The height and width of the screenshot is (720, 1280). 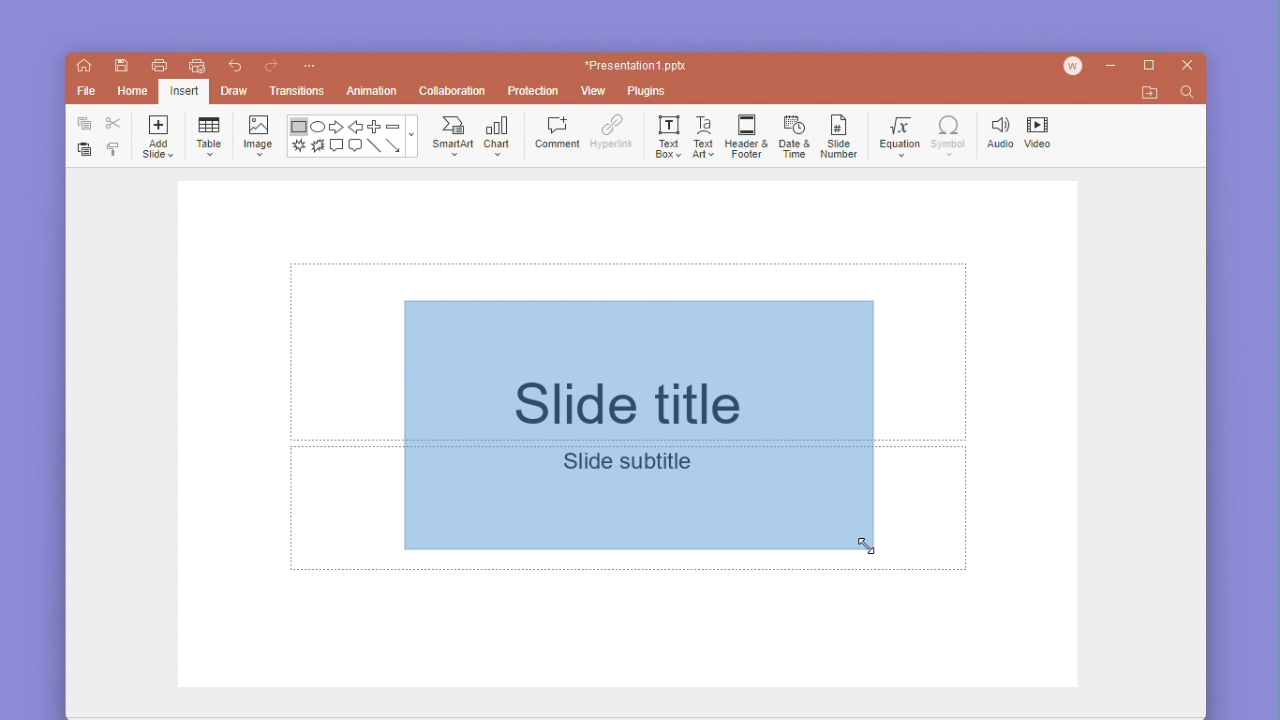 What do you see at coordinates (612, 131) in the screenshot?
I see `hyperlink` at bounding box center [612, 131].